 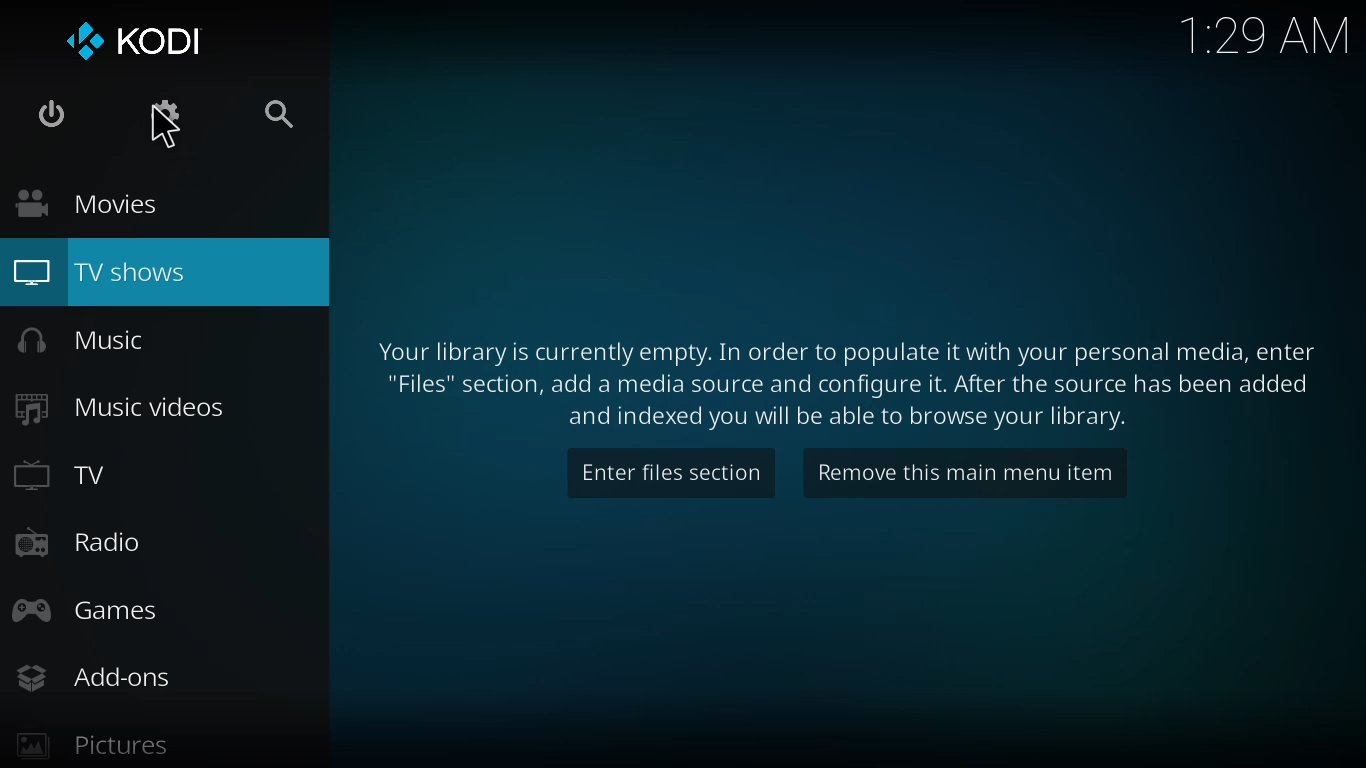 What do you see at coordinates (88, 340) in the screenshot?
I see `music` at bounding box center [88, 340].